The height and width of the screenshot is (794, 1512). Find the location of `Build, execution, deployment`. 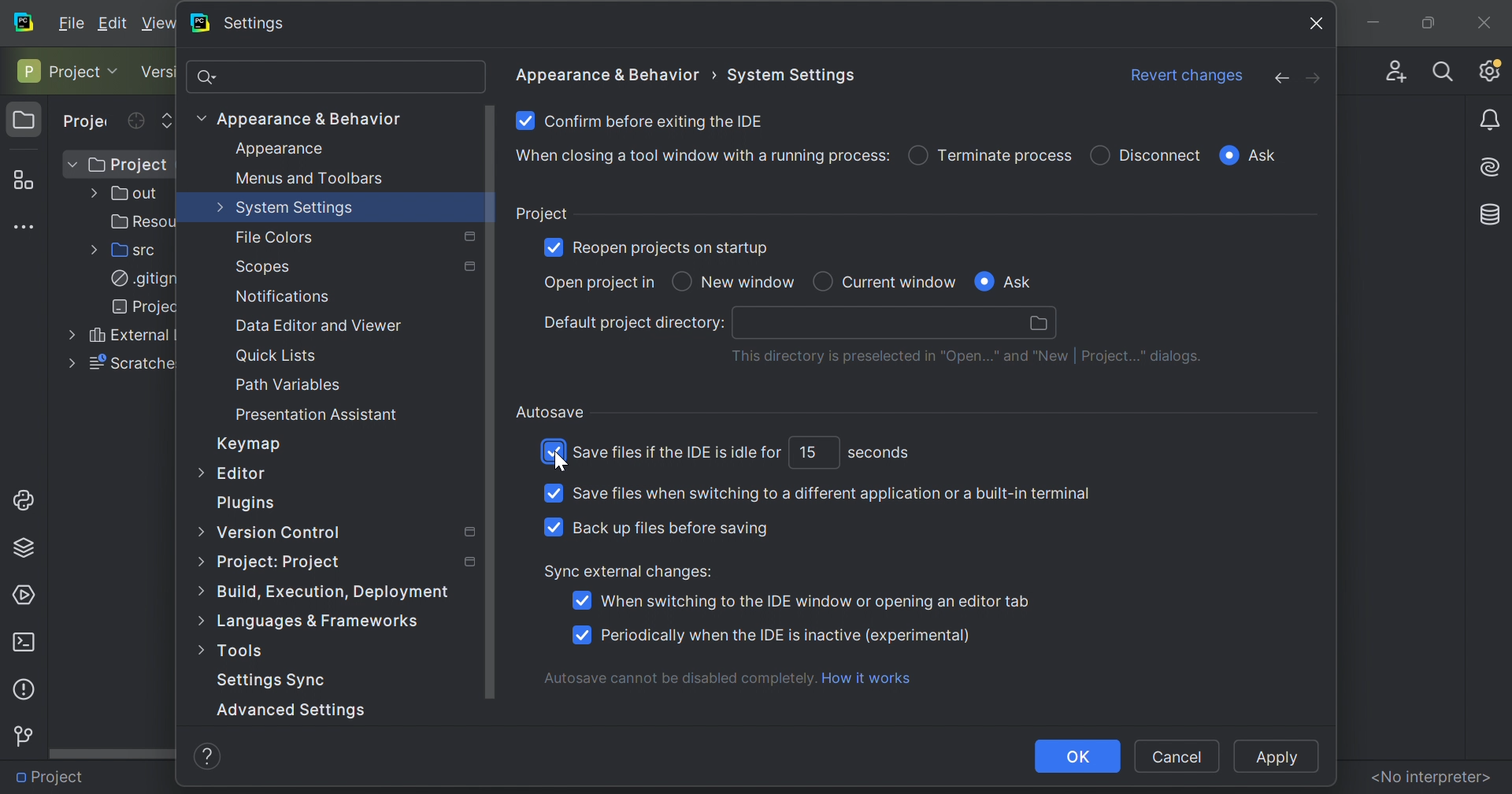

Build, execution, deployment is located at coordinates (343, 591).